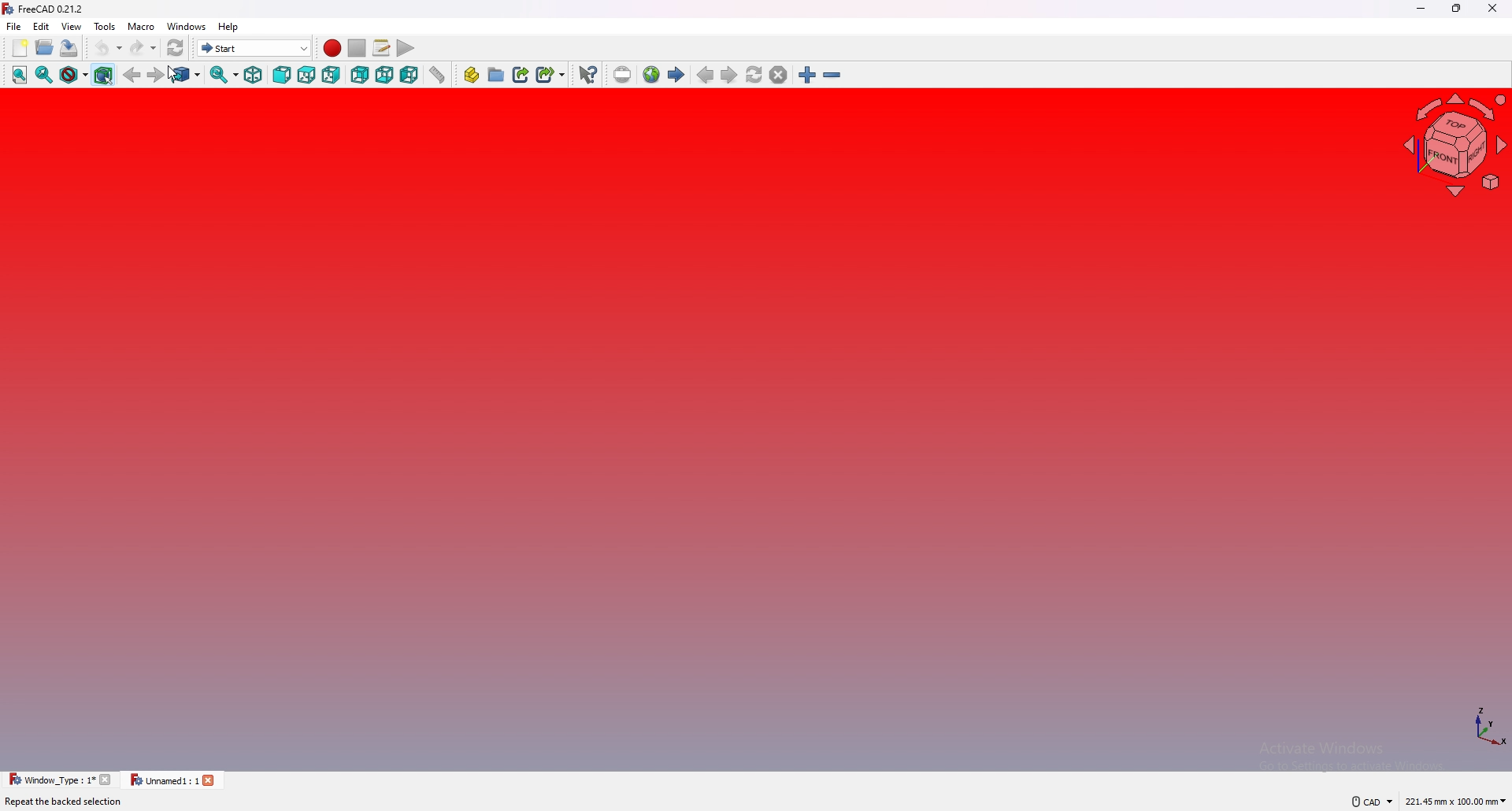 The height and width of the screenshot is (811, 1512). I want to click on fit all, so click(20, 75).